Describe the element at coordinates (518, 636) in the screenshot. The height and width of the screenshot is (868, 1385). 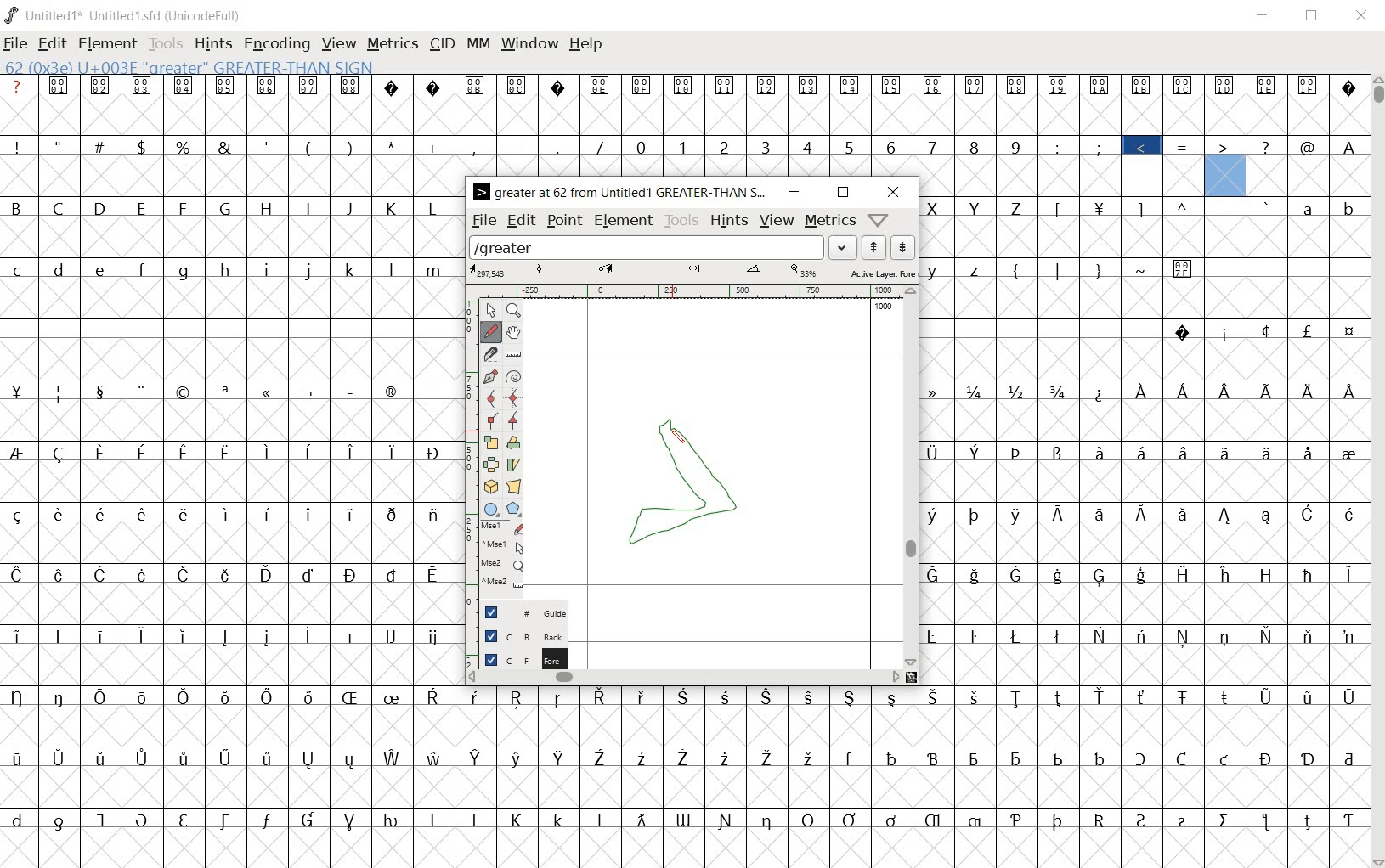
I see `background` at that location.